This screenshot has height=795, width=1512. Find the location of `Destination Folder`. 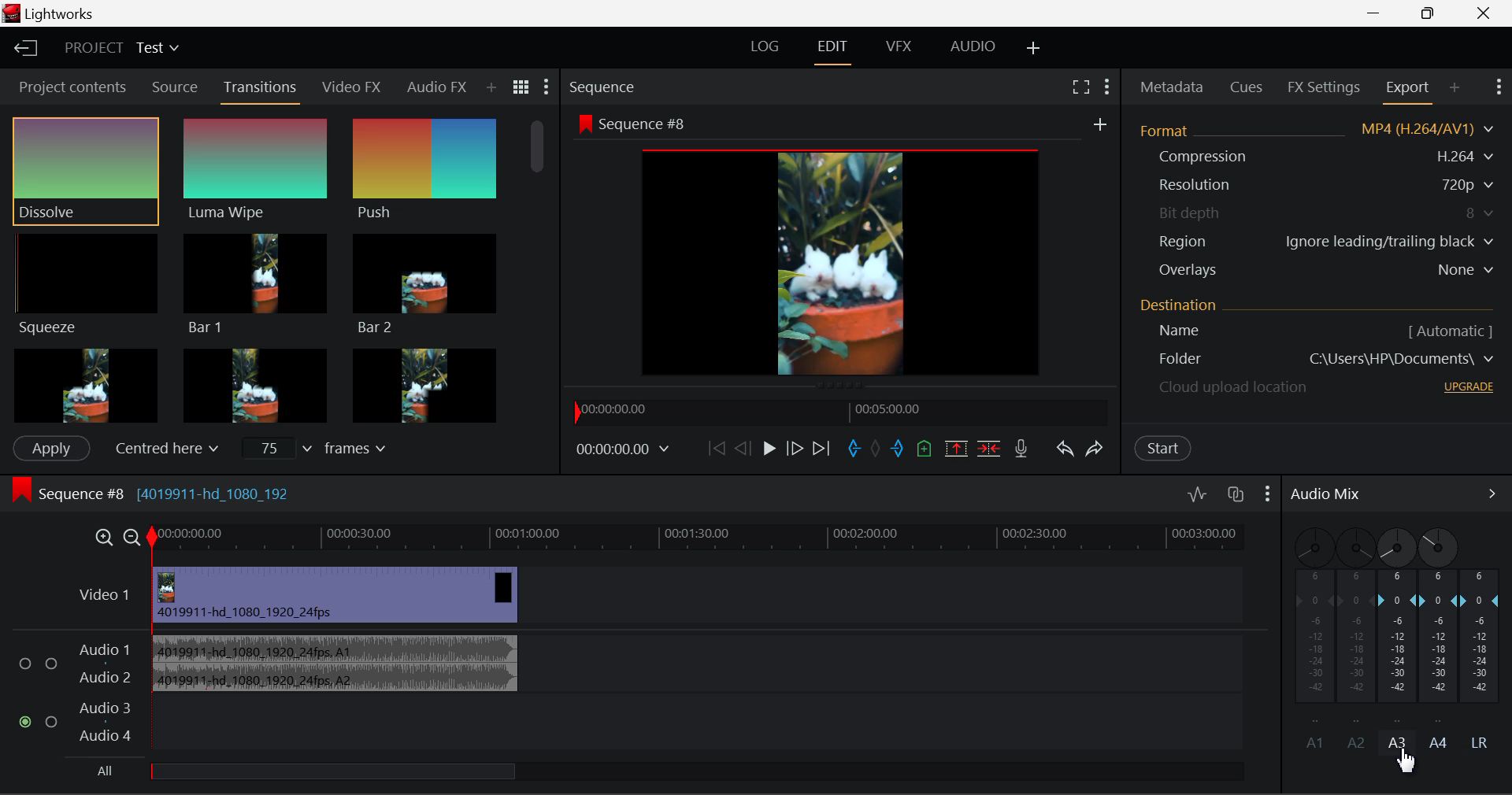

Destination Folder is located at coordinates (1319, 360).